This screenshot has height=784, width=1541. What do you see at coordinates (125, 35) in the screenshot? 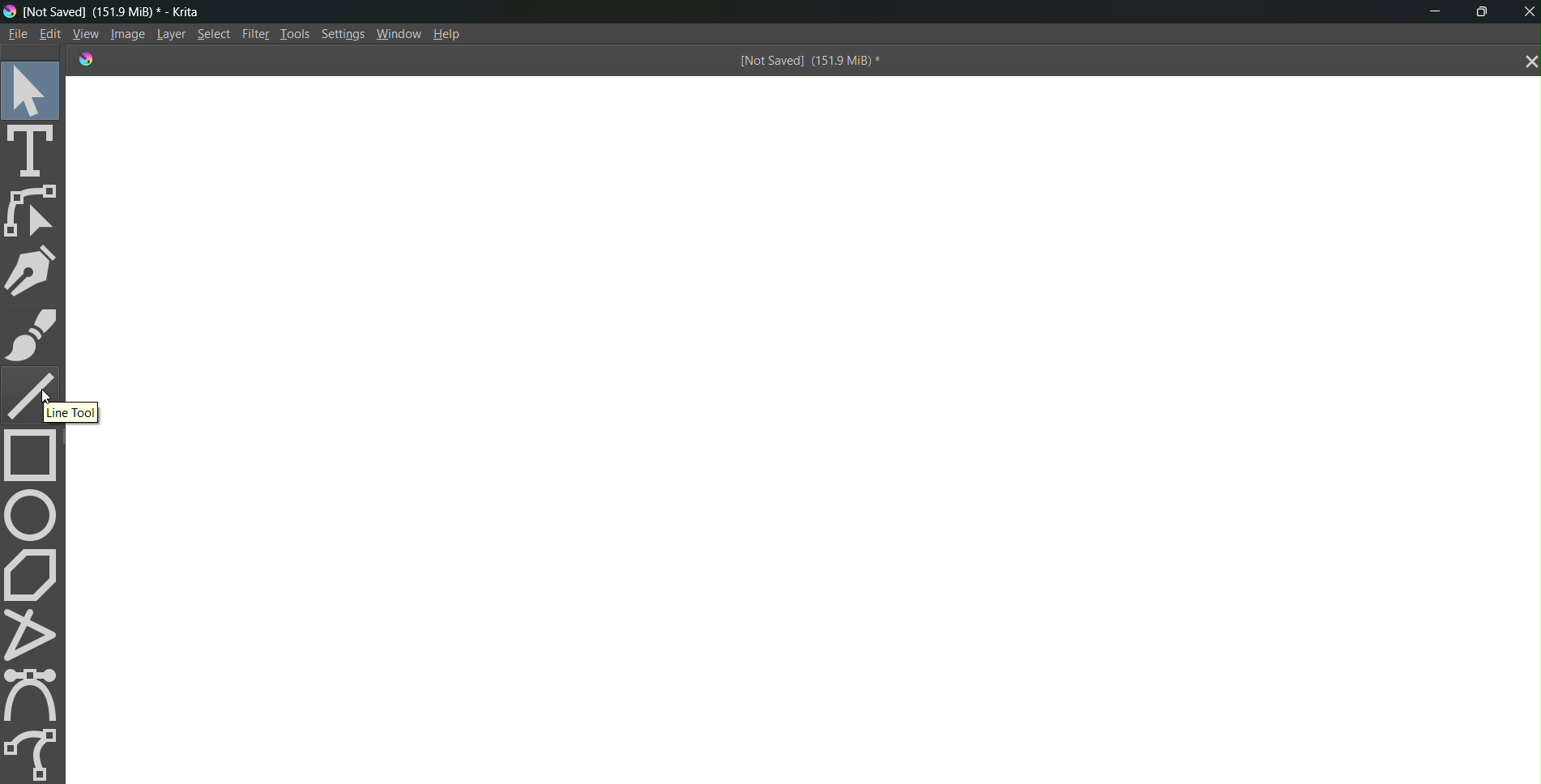
I see `Image` at bounding box center [125, 35].